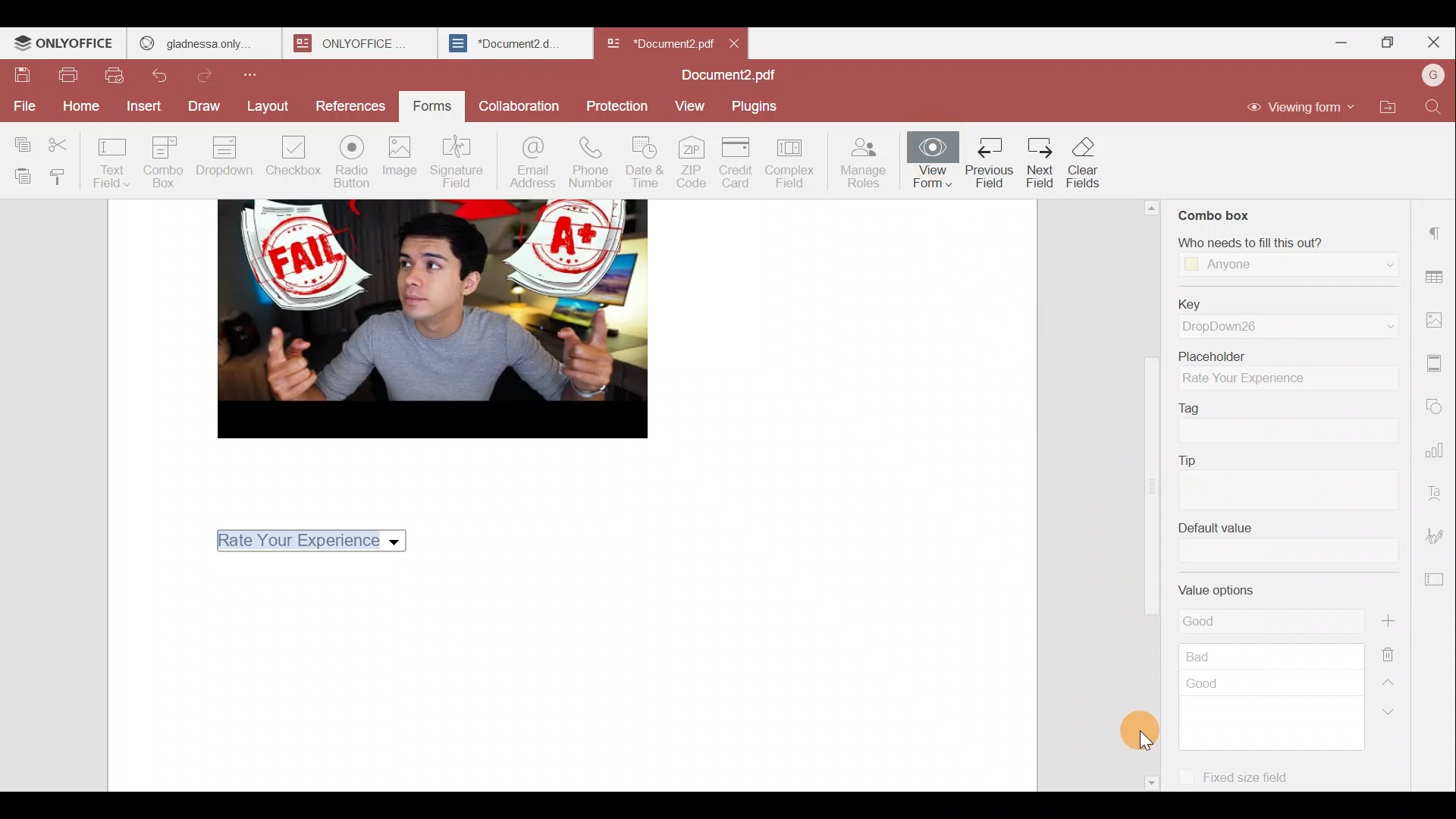 Image resolution: width=1456 pixels, height=819 pixels. Describe the element at coordinates (1385, 110) in the screenshot. I see `Open file location` at that location.